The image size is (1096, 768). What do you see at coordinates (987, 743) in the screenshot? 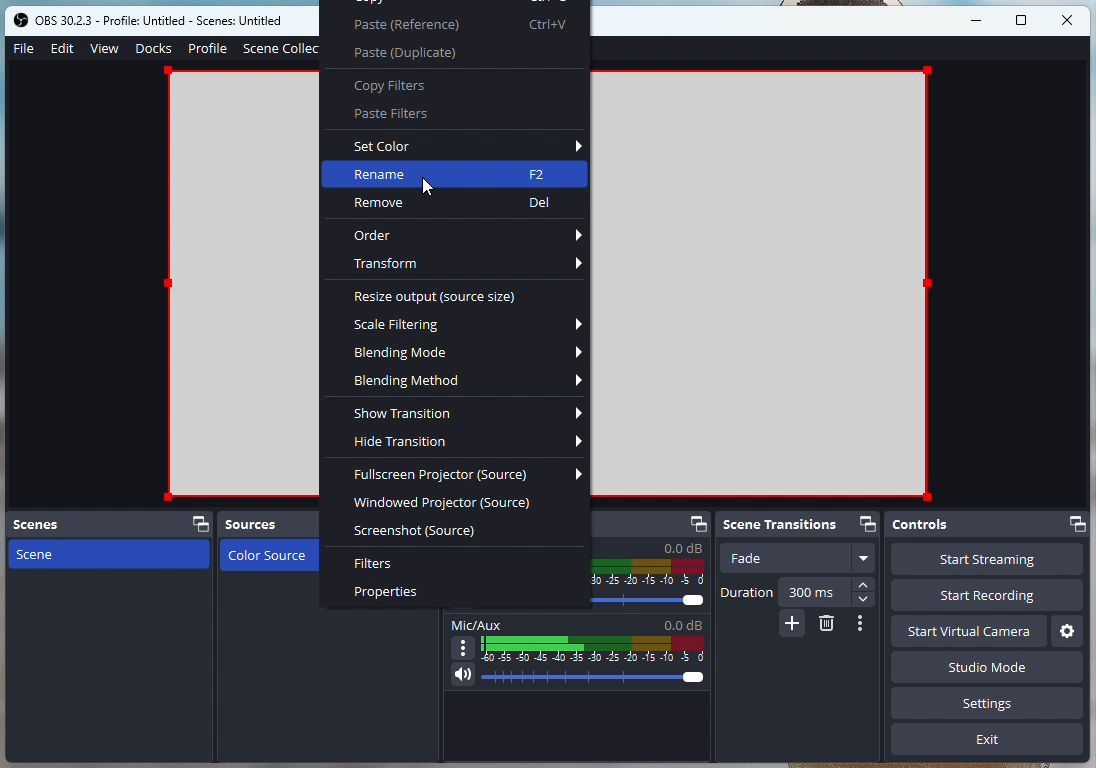
I see `Exit` at bounding box center [987, 743].